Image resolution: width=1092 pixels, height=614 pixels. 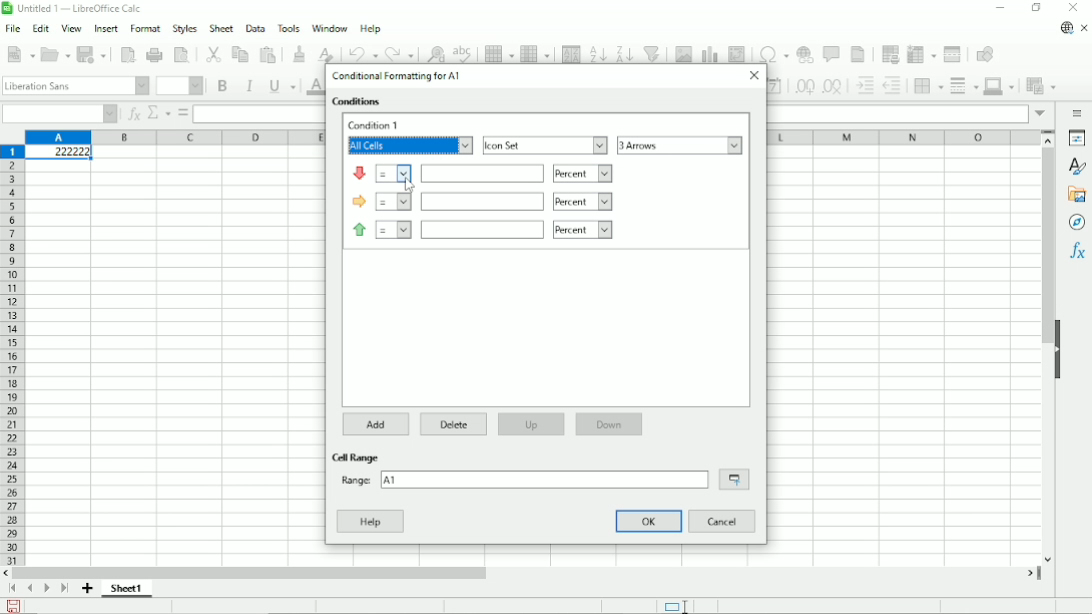 What do you see at coordinates (1085, 29) in the screenshot?
I see `Close document` at bounding box center [1085, 29].